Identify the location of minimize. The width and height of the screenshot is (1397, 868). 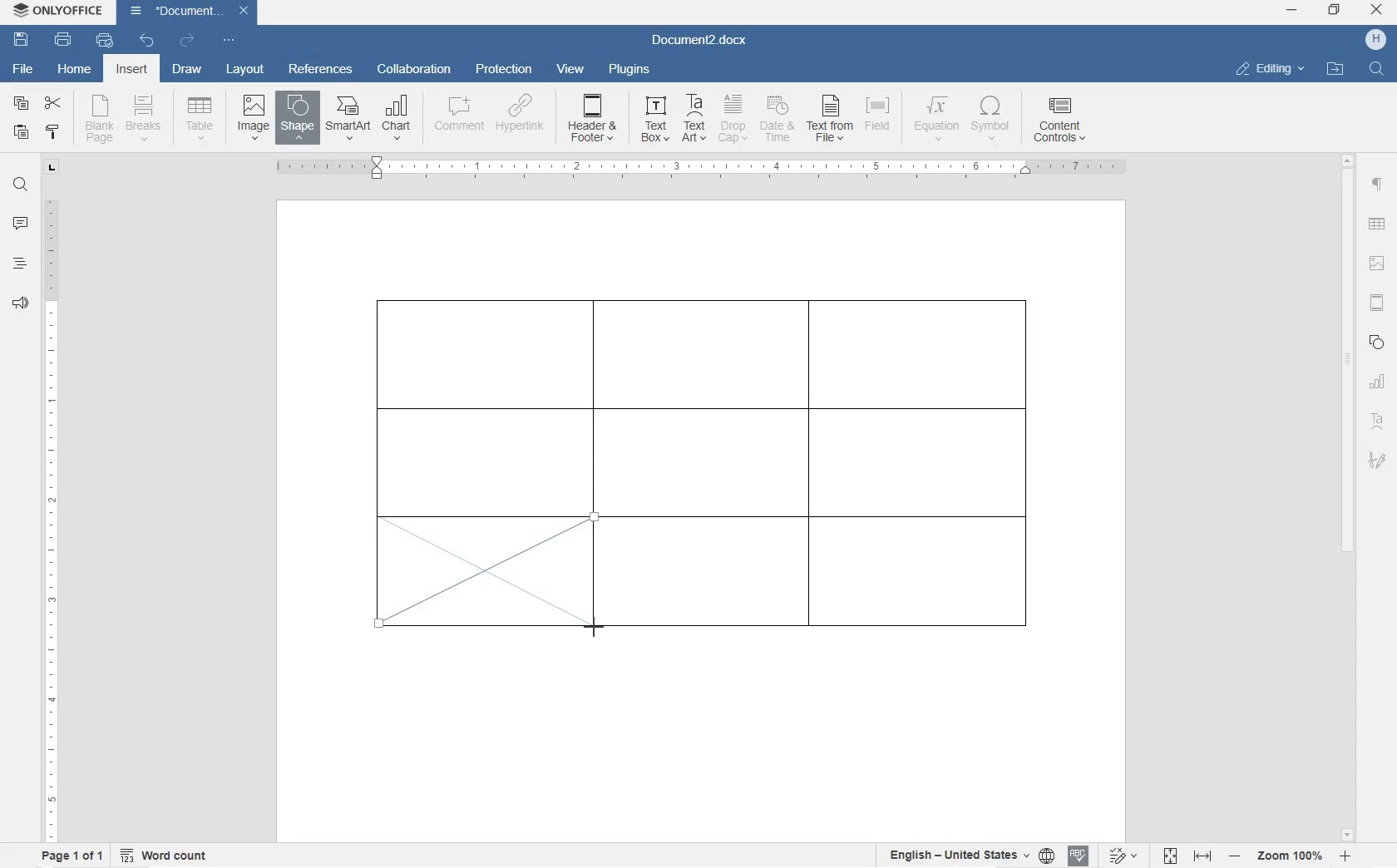
(1291, 10).